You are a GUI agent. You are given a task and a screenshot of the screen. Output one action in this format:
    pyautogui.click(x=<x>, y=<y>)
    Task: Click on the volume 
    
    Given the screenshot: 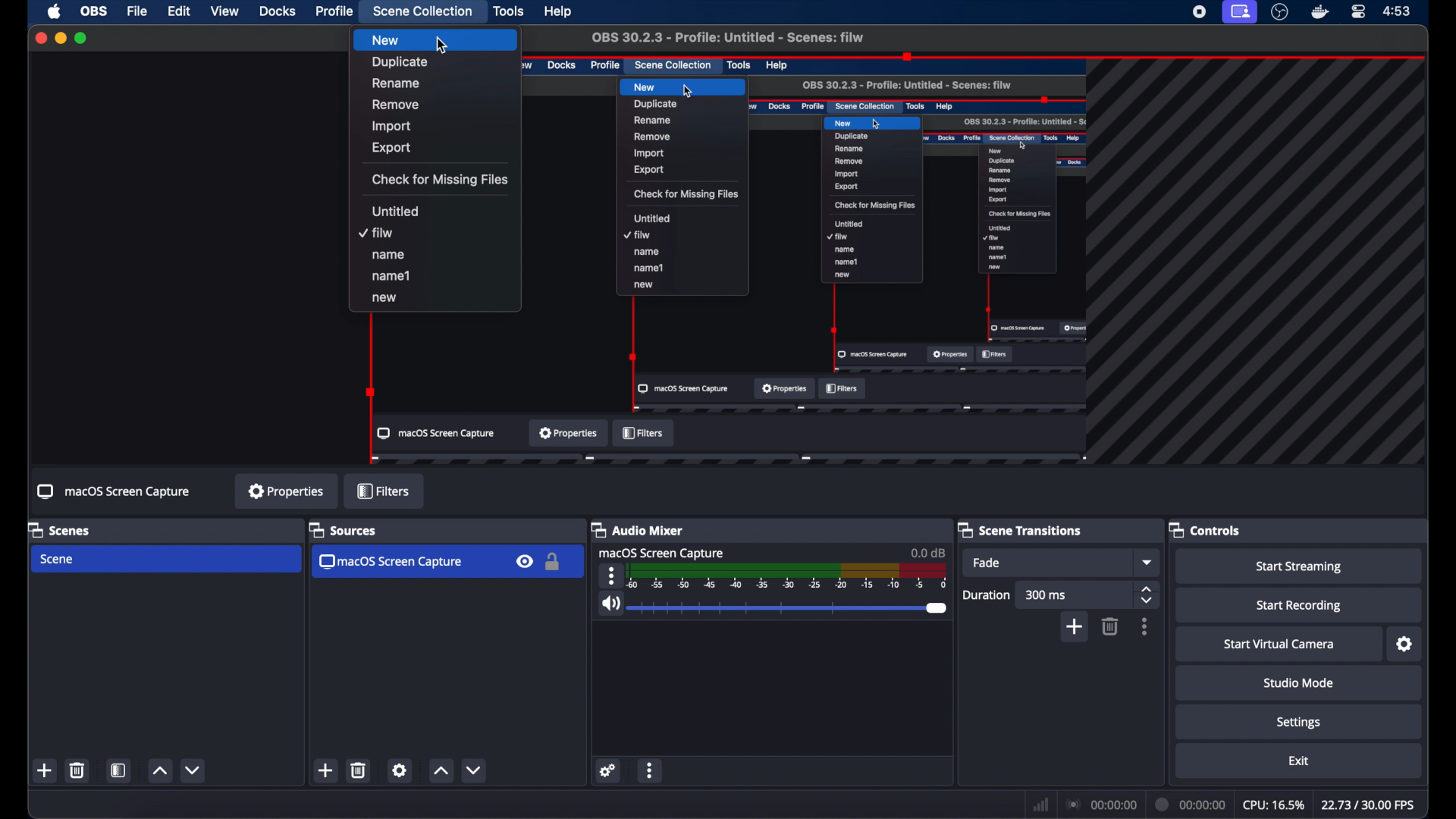 What is the action you would take?
    pyautogui.click(x=609, y=604)
    